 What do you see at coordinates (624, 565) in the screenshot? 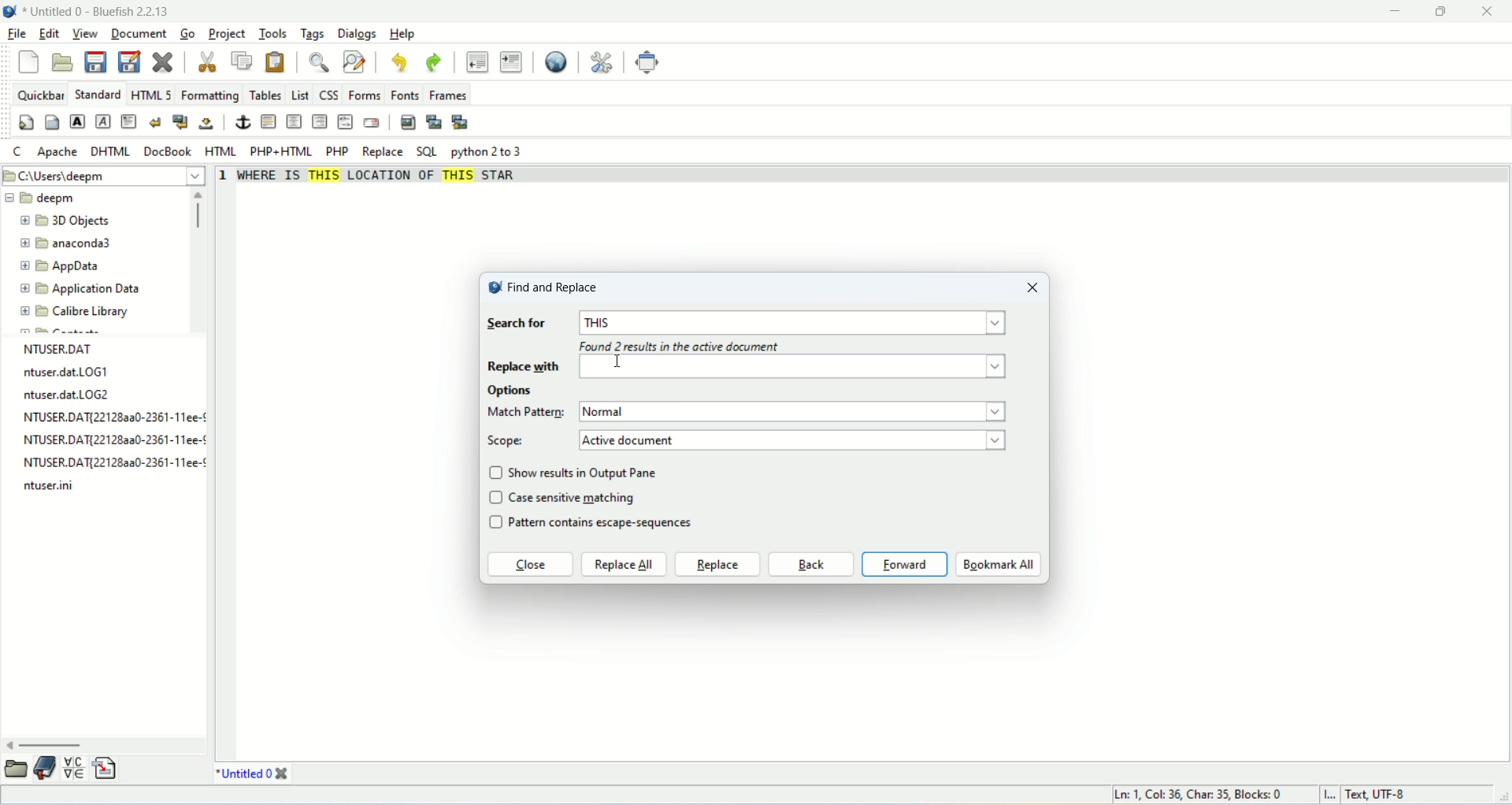
I see `replace all` at bounding box center [624, 565].